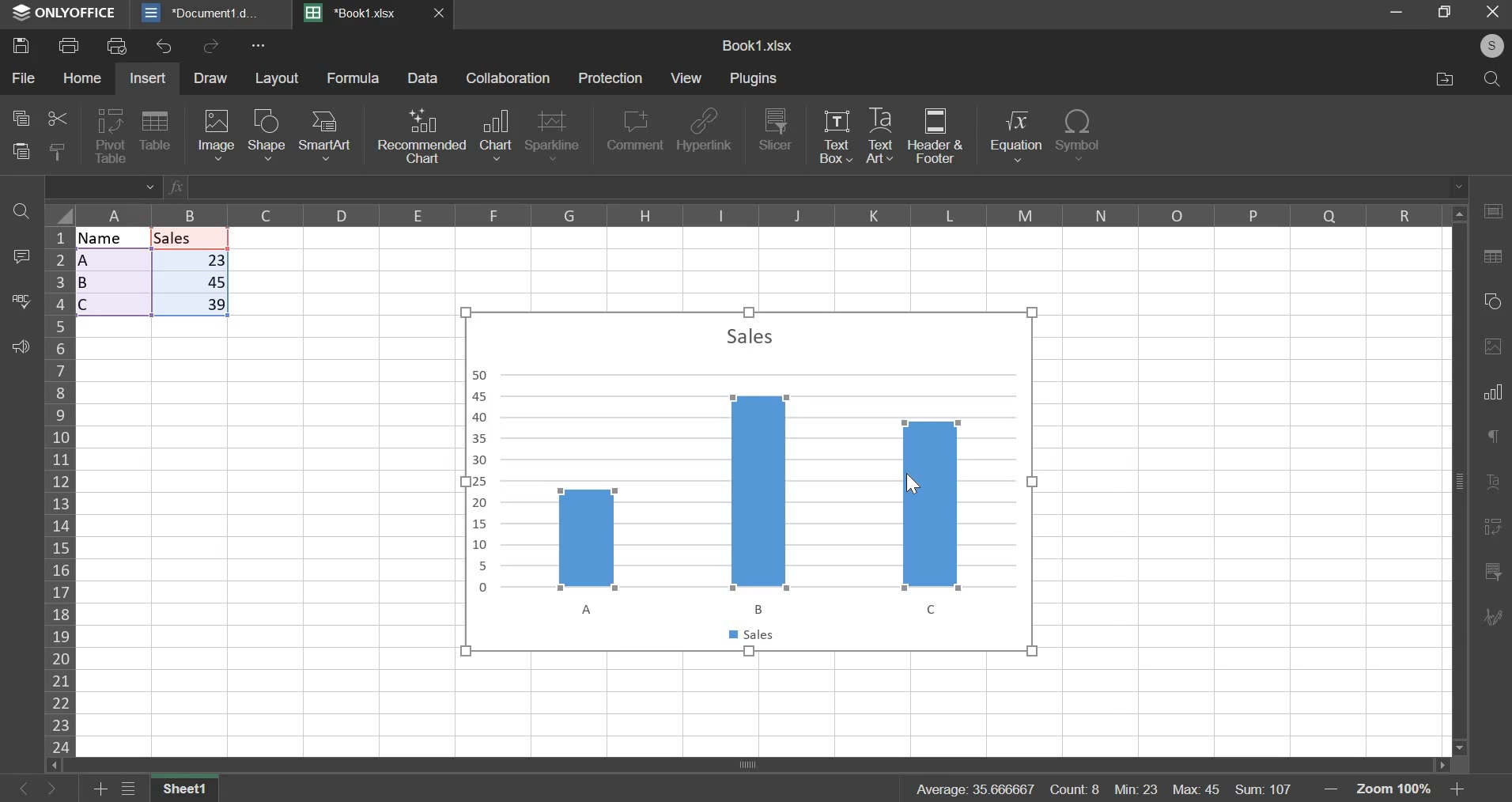 The image size is (1512, 802). I want to click on , so click(43, 789).